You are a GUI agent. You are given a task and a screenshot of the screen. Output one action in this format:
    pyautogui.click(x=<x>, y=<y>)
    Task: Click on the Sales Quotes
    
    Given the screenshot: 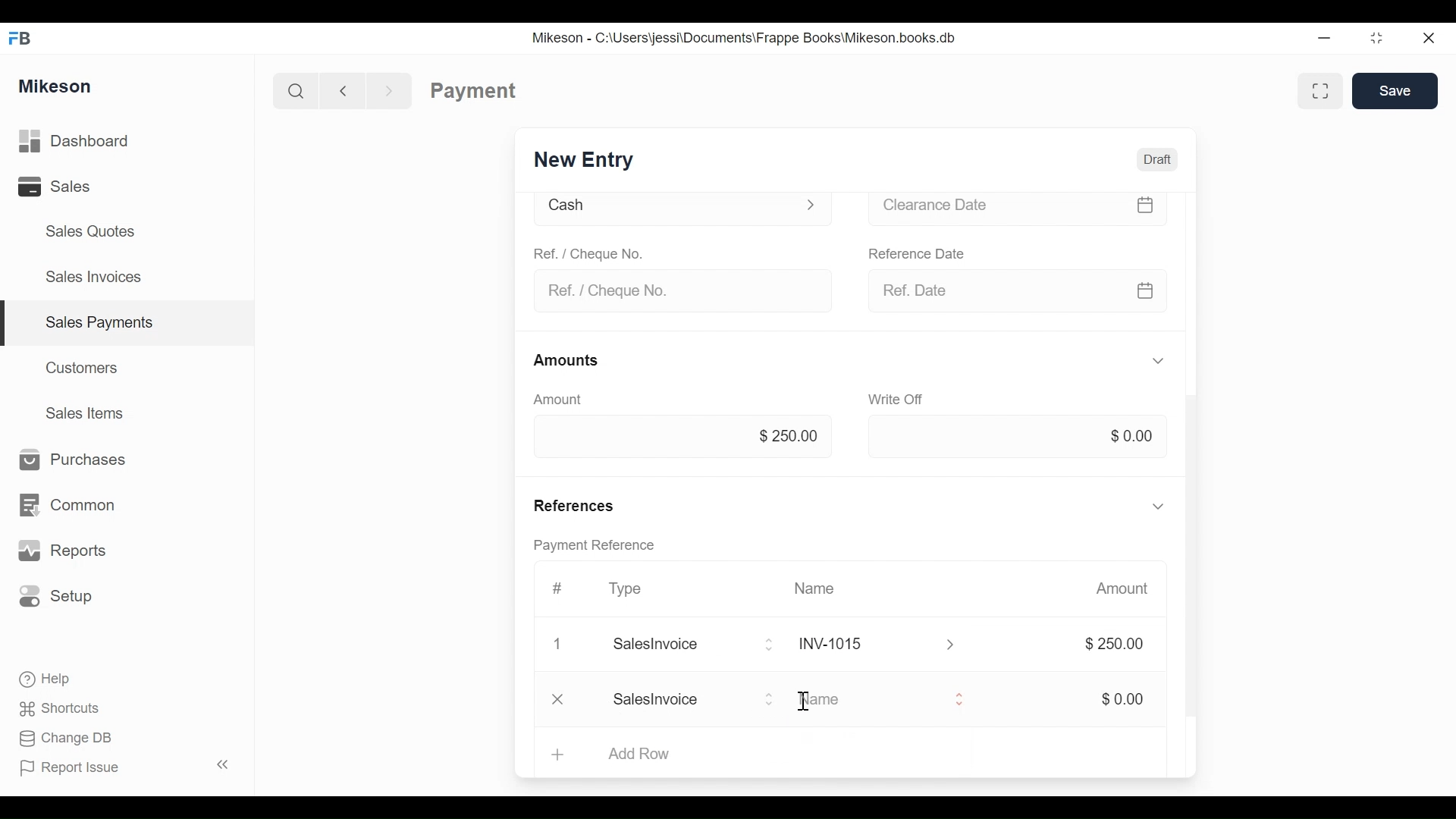 What is the action you would take?
    pyautogui.click(x=83, y=231)
    